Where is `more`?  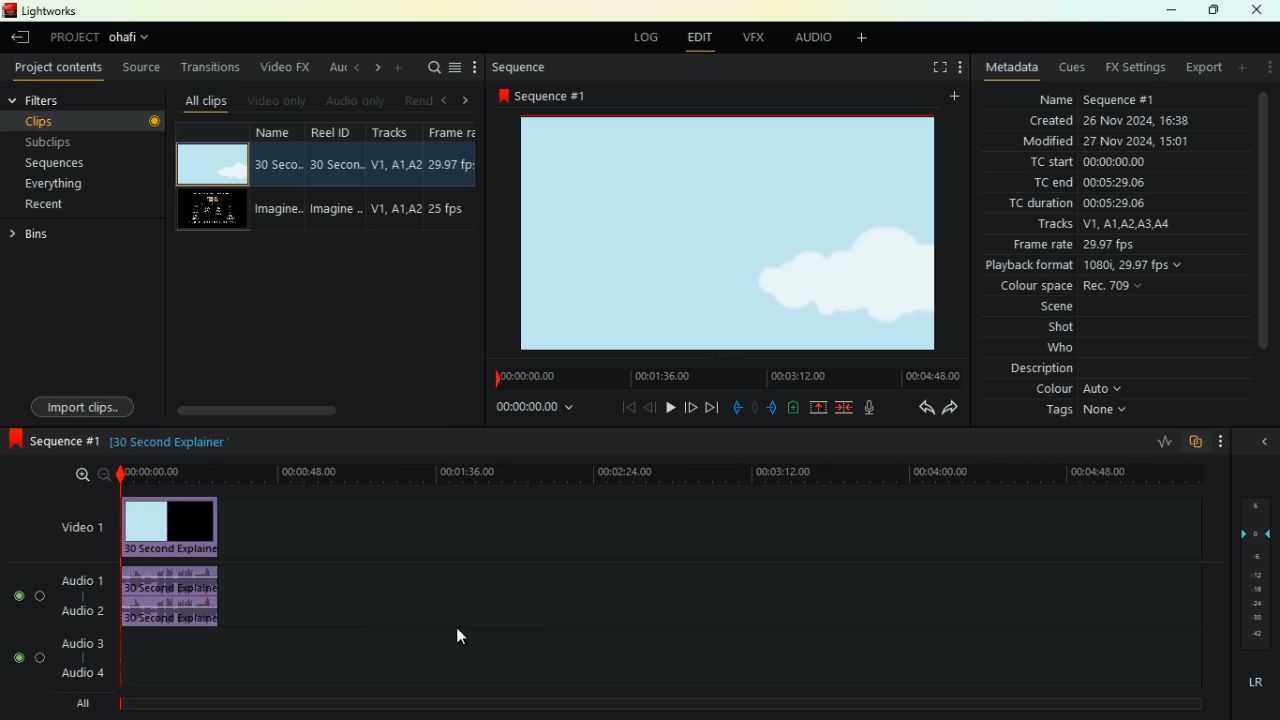
more is located at coordinates (962, 65).